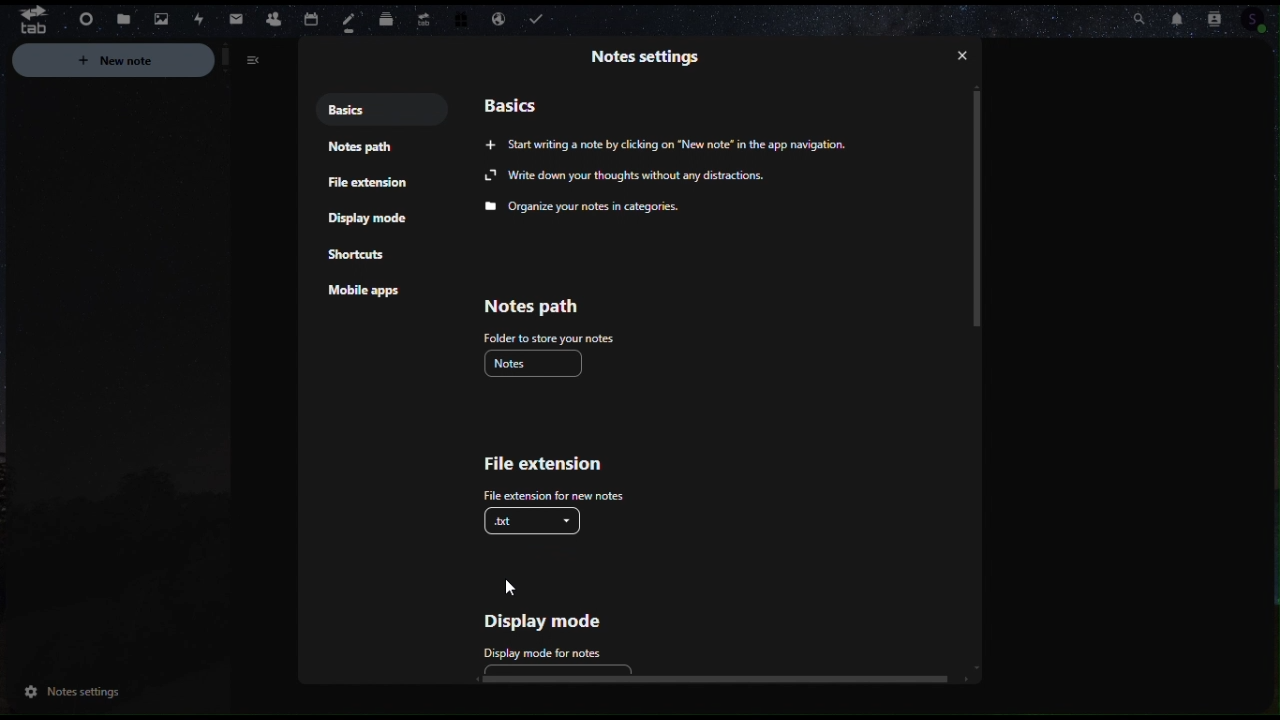  Describe the element at coordinates (157, 17) in the screenshot. I see `Photos` at that location.